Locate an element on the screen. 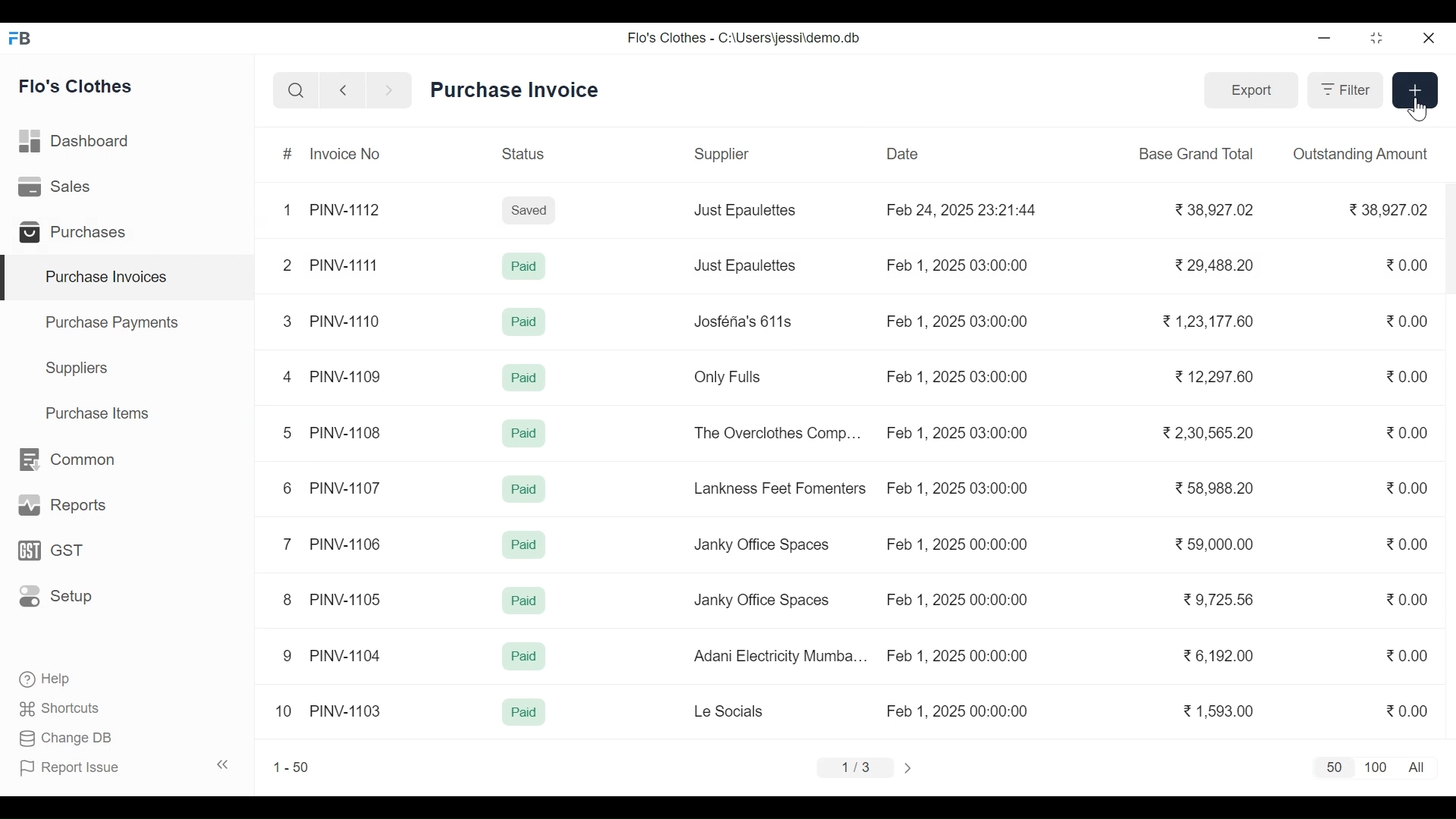 The image size is (1456, 819). Outstanding Amount is located at coordinates (1361, 154).